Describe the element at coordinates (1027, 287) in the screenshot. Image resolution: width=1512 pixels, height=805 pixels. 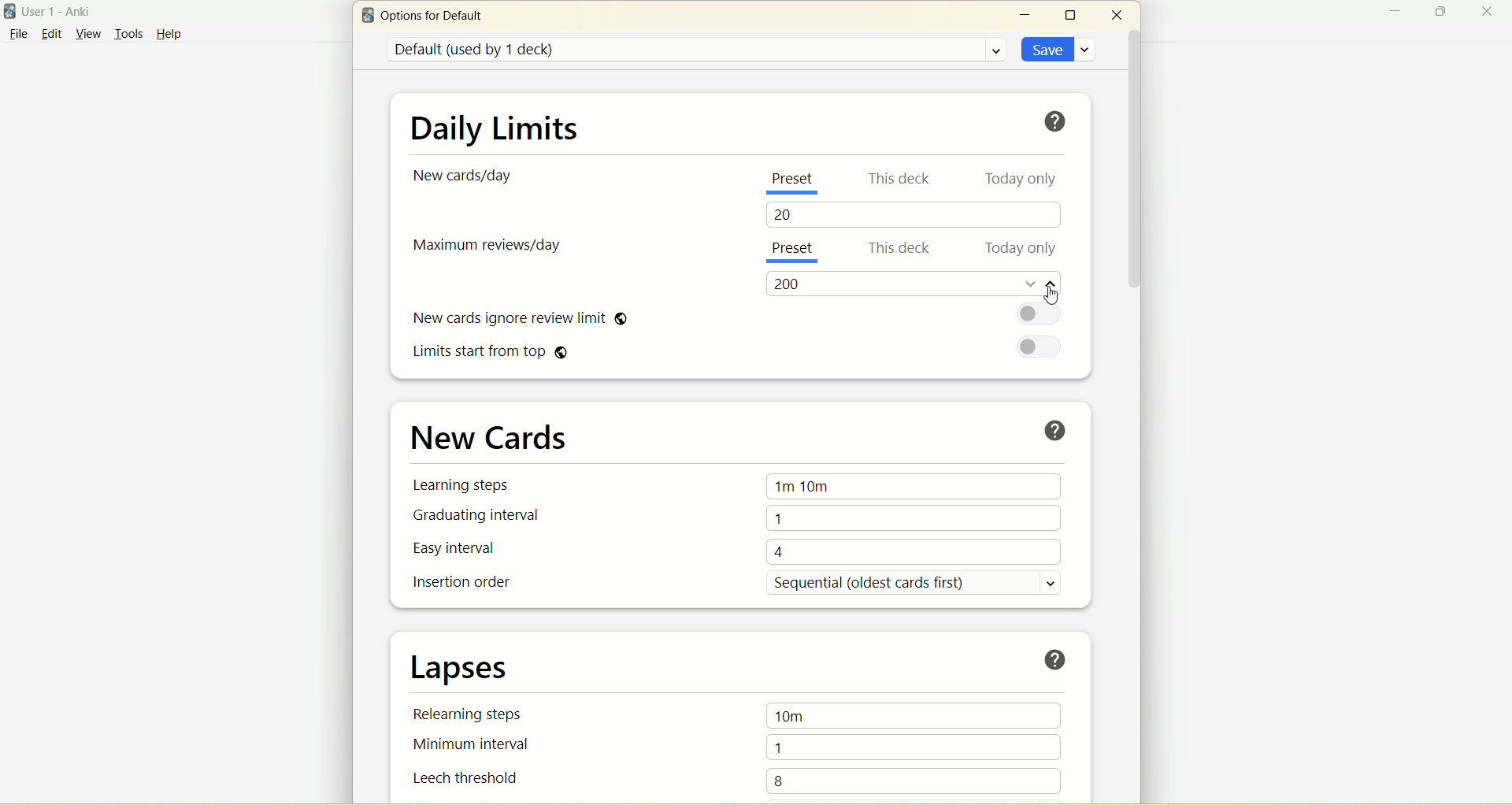
I see `decrease` at that location.